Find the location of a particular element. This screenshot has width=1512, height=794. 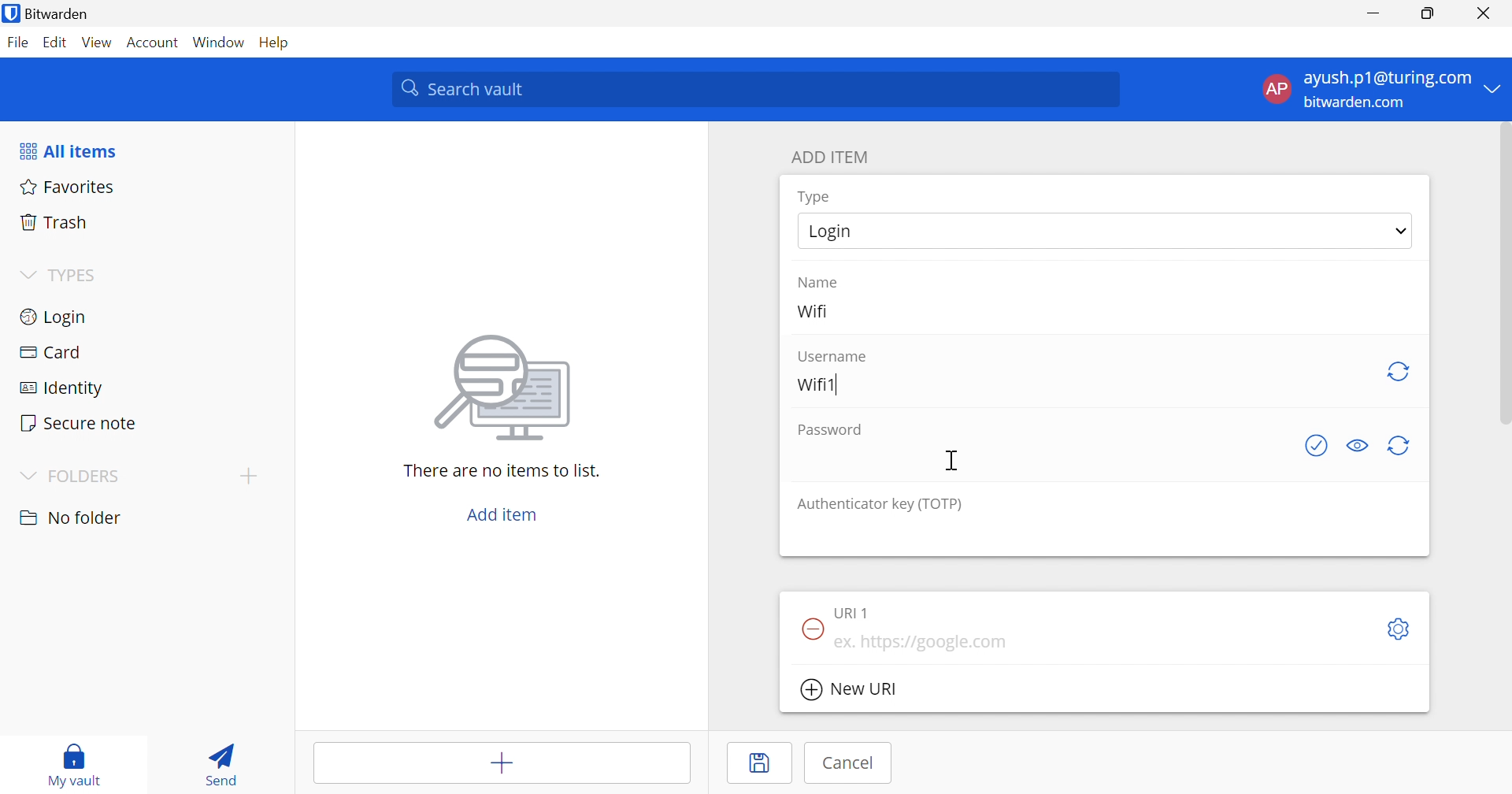

URI 1 is located at coordinates (854, 611).